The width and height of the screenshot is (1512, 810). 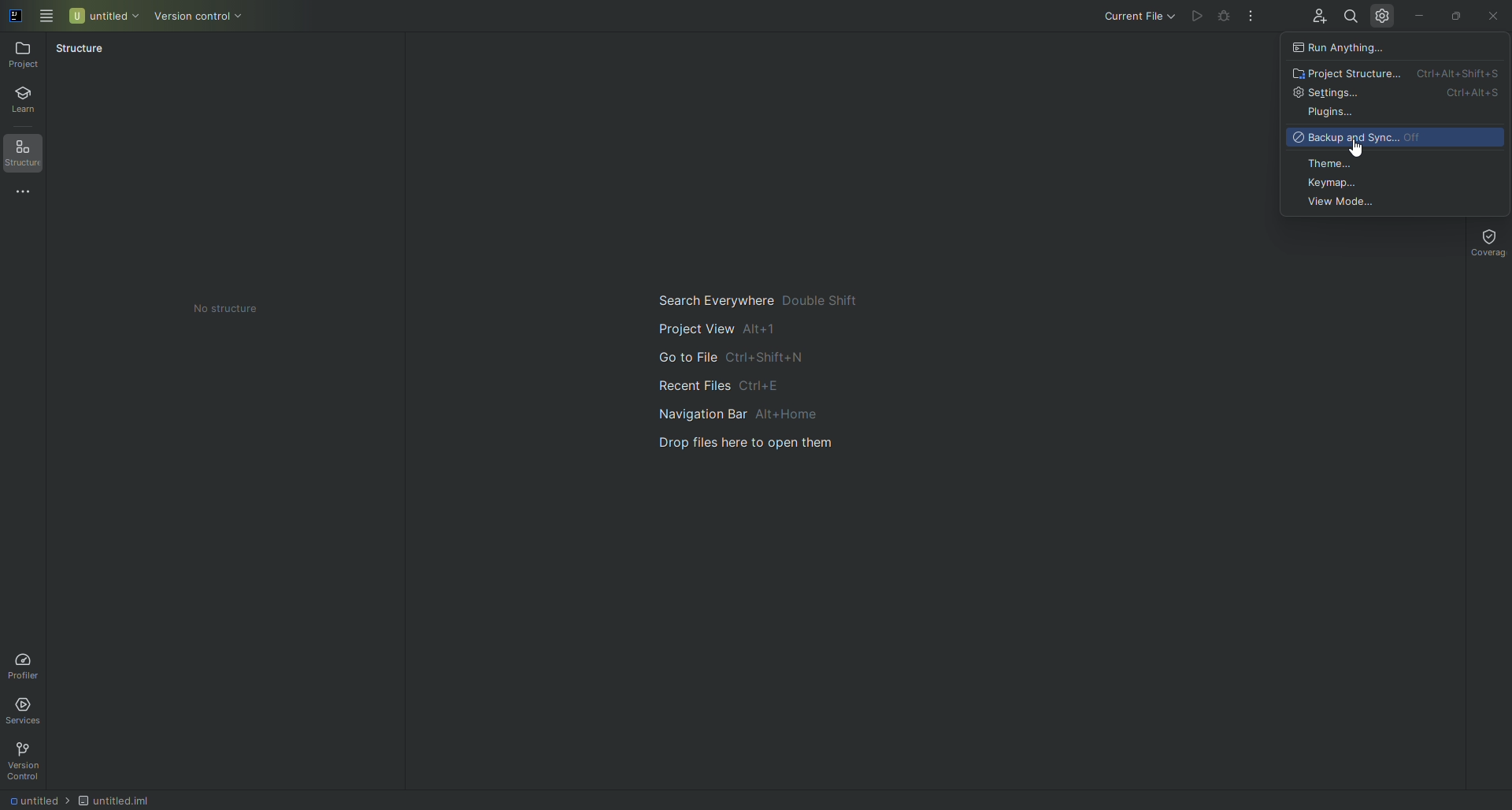 I want to click on More Actions, so click(x=1252, y=17).